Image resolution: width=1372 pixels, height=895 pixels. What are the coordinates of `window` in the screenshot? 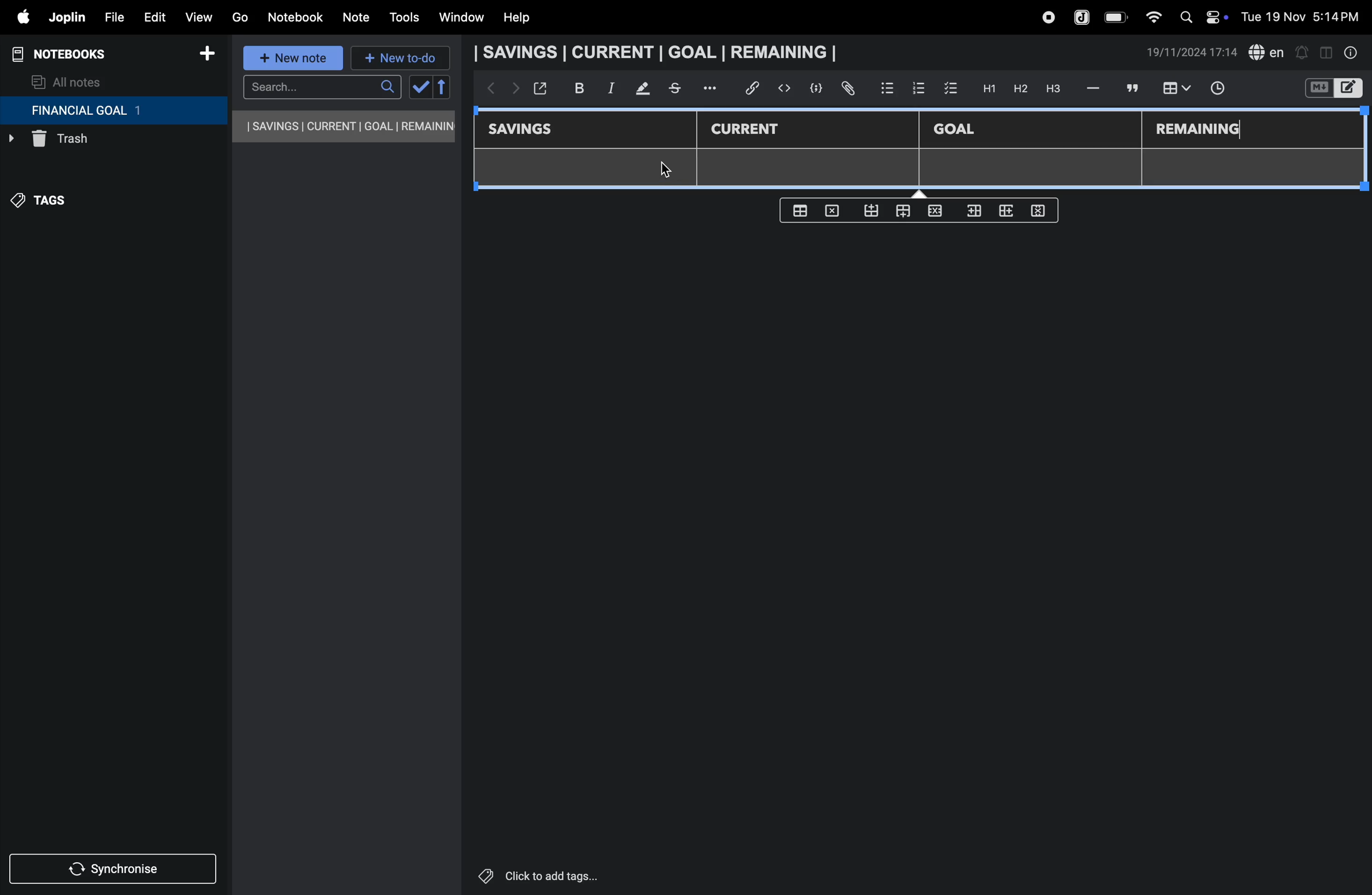 It's located at (460, 18).